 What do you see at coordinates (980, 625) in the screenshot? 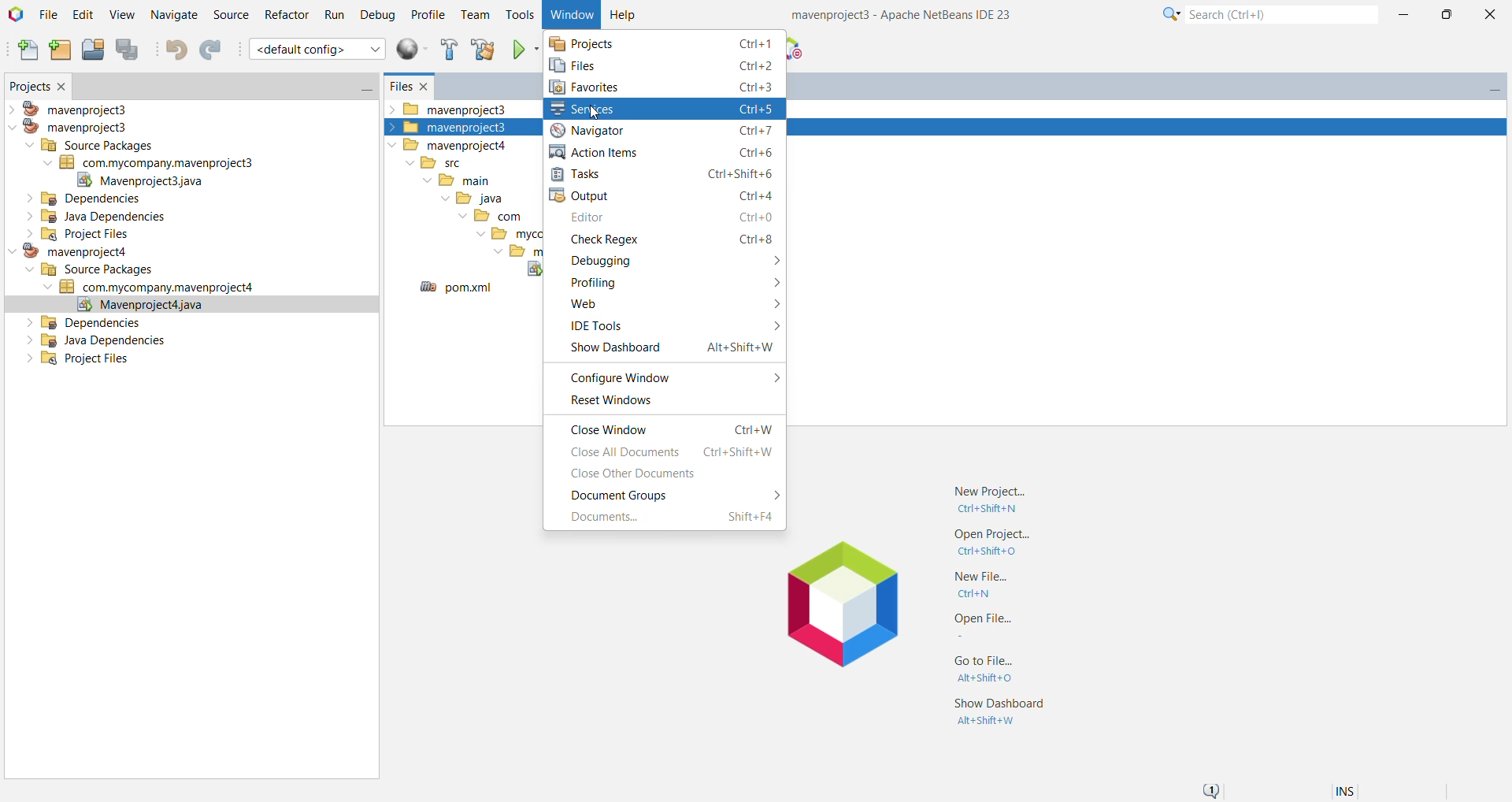
I see `Open File` at bounding box center [980, 625].